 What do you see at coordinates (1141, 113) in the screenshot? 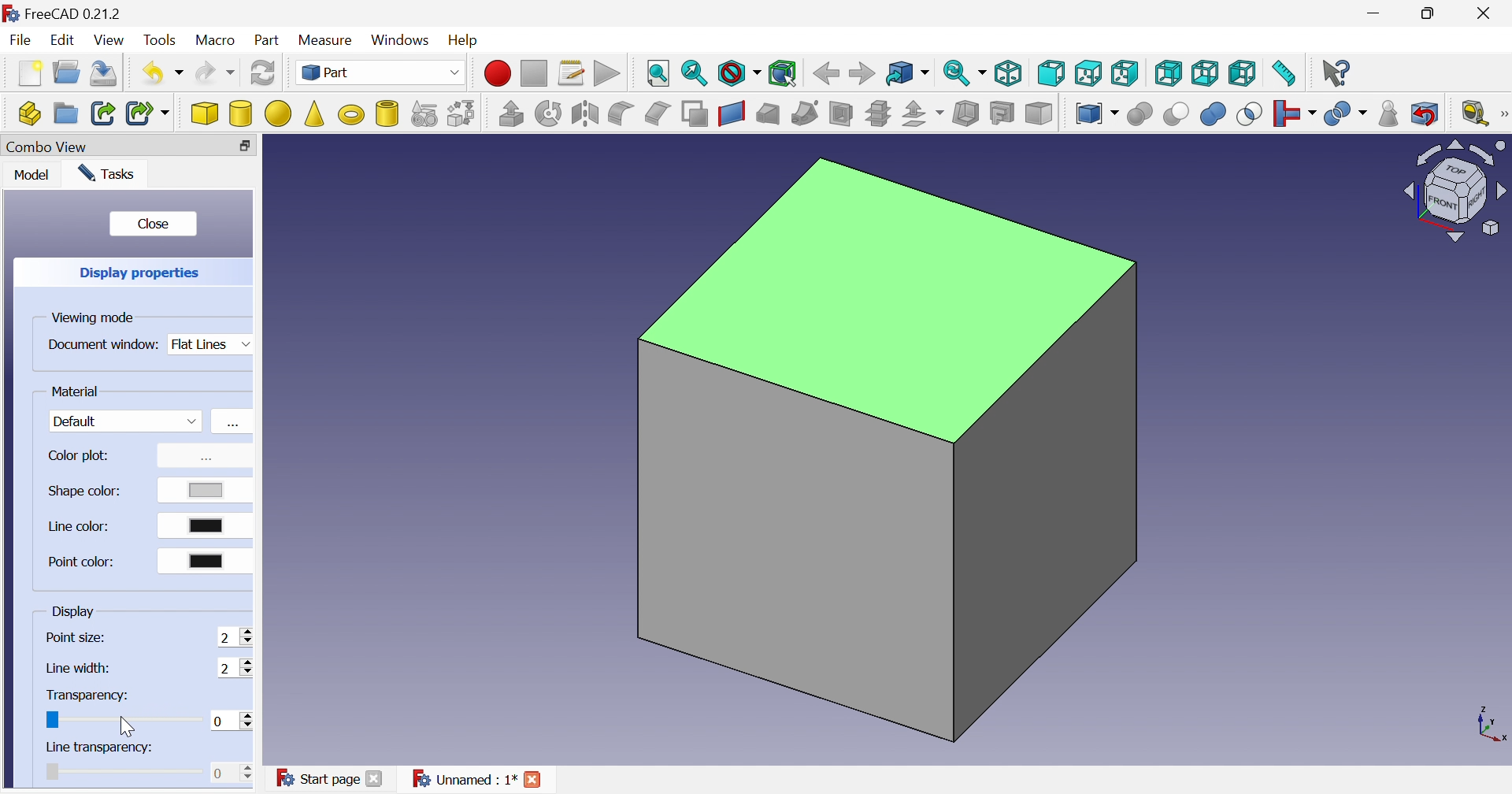
I see `Boolean` at bounding box center [1141, 113].